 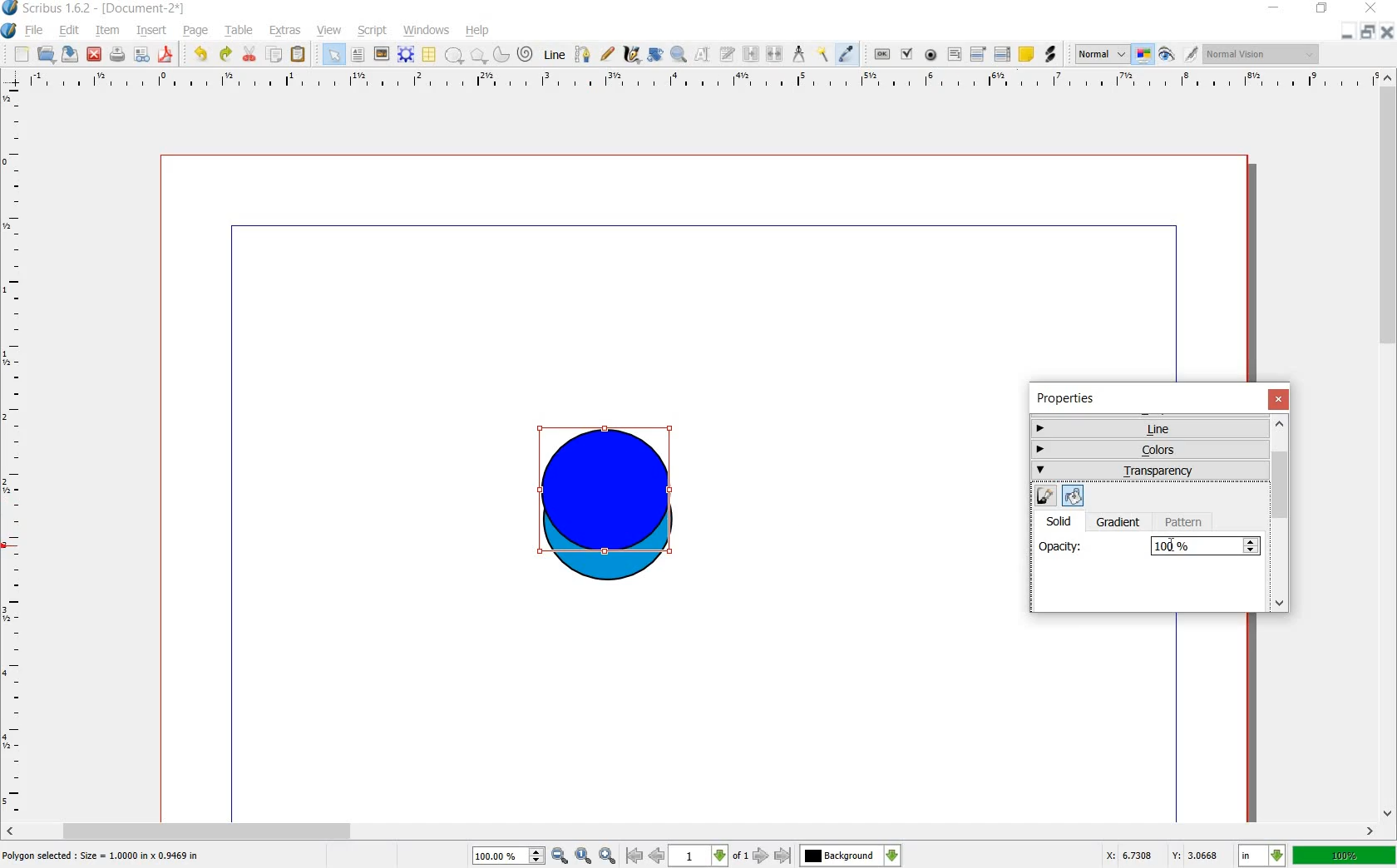 I want to click on properties, so click(x=1071, y=398).